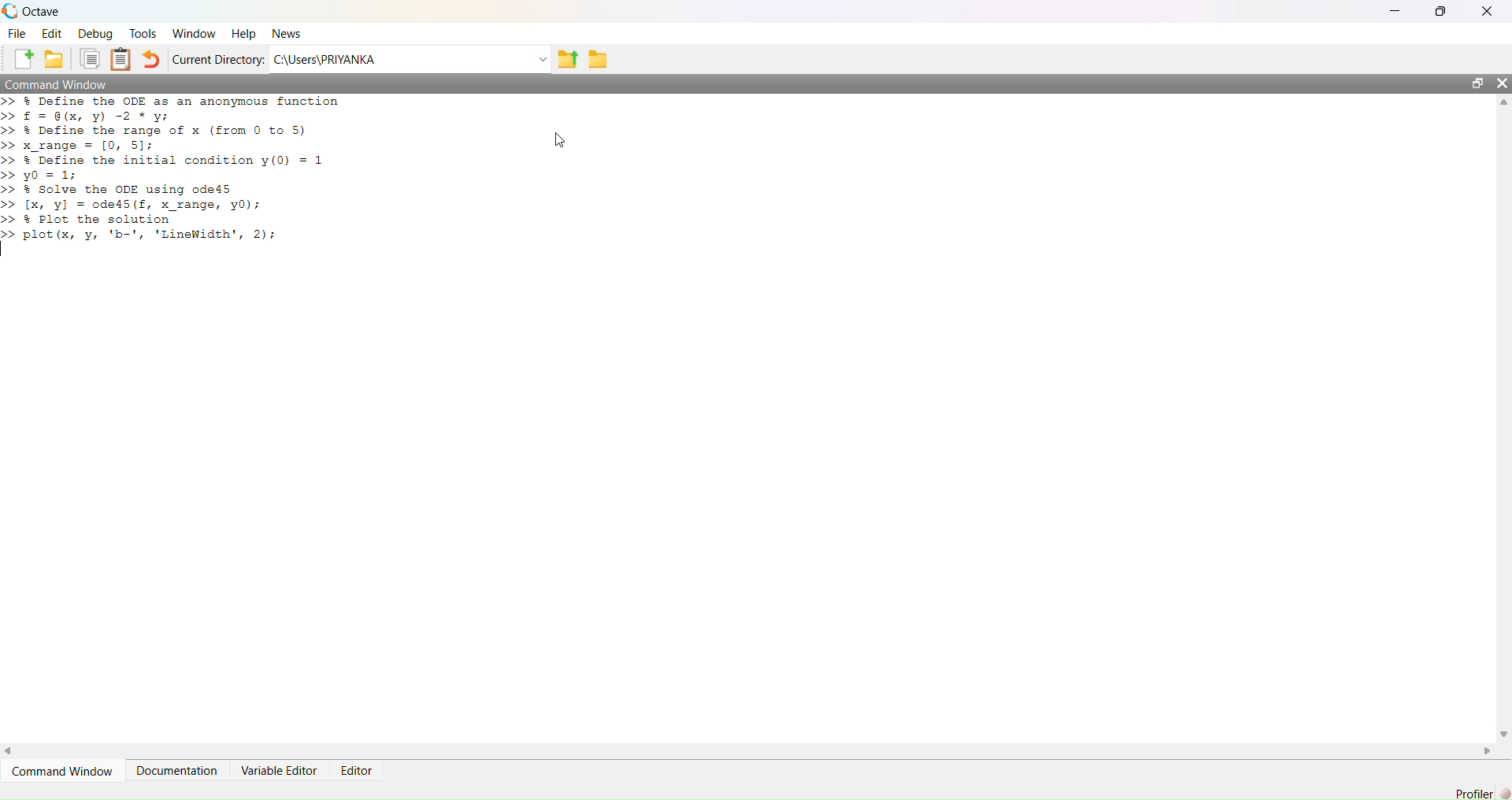 This screenshot has height=800, width=1512. Describe the element at coordinates (54, 59) in the screenshot. I see `Open an existing file in editor` at that location.